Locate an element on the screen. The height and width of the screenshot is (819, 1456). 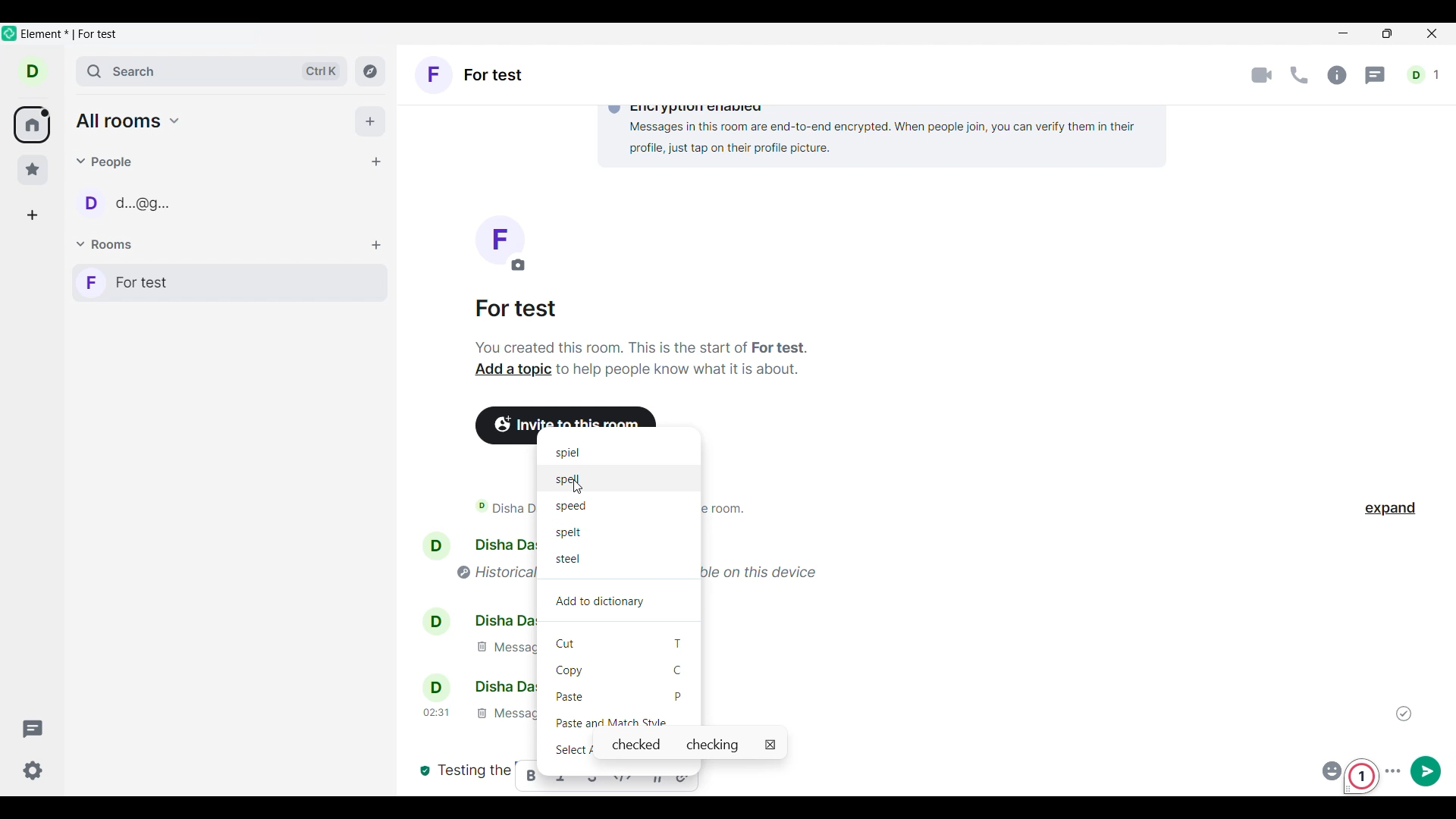
Search room is located at coordinates (213, 71).